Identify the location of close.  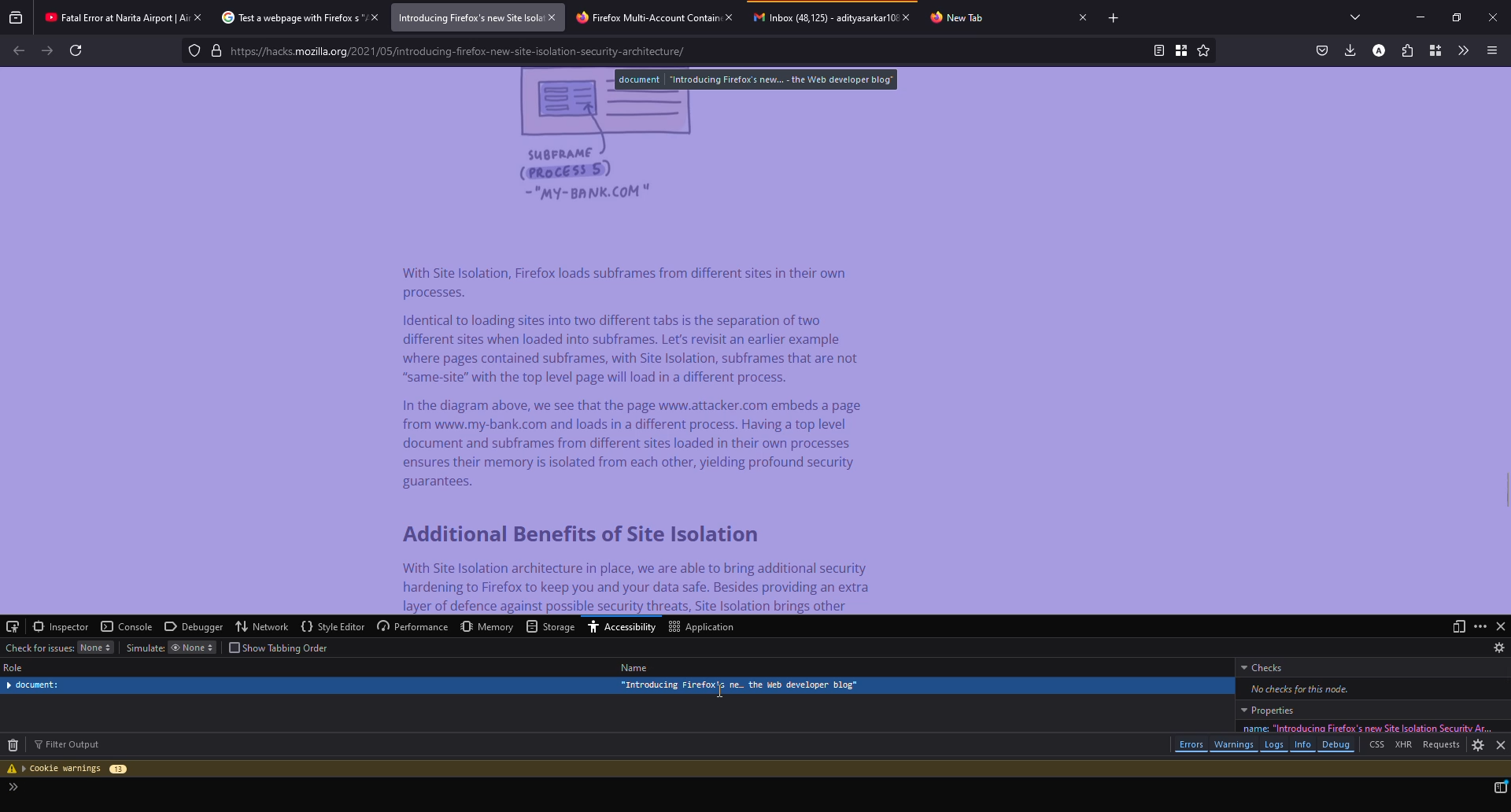
(194, 17).